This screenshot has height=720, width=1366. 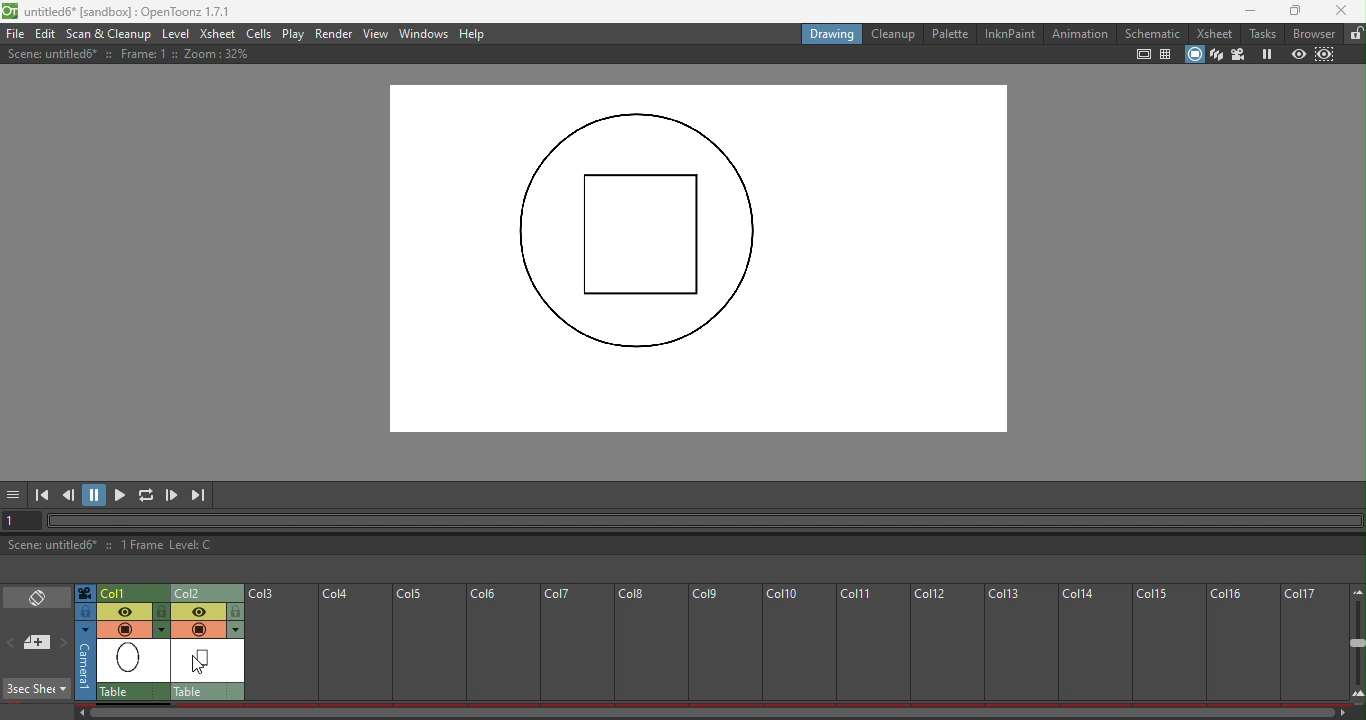 What do you see at coordinates (1356, 694) in the screenshot?
I see `Zoom In` at bounding box center [1356, 694].